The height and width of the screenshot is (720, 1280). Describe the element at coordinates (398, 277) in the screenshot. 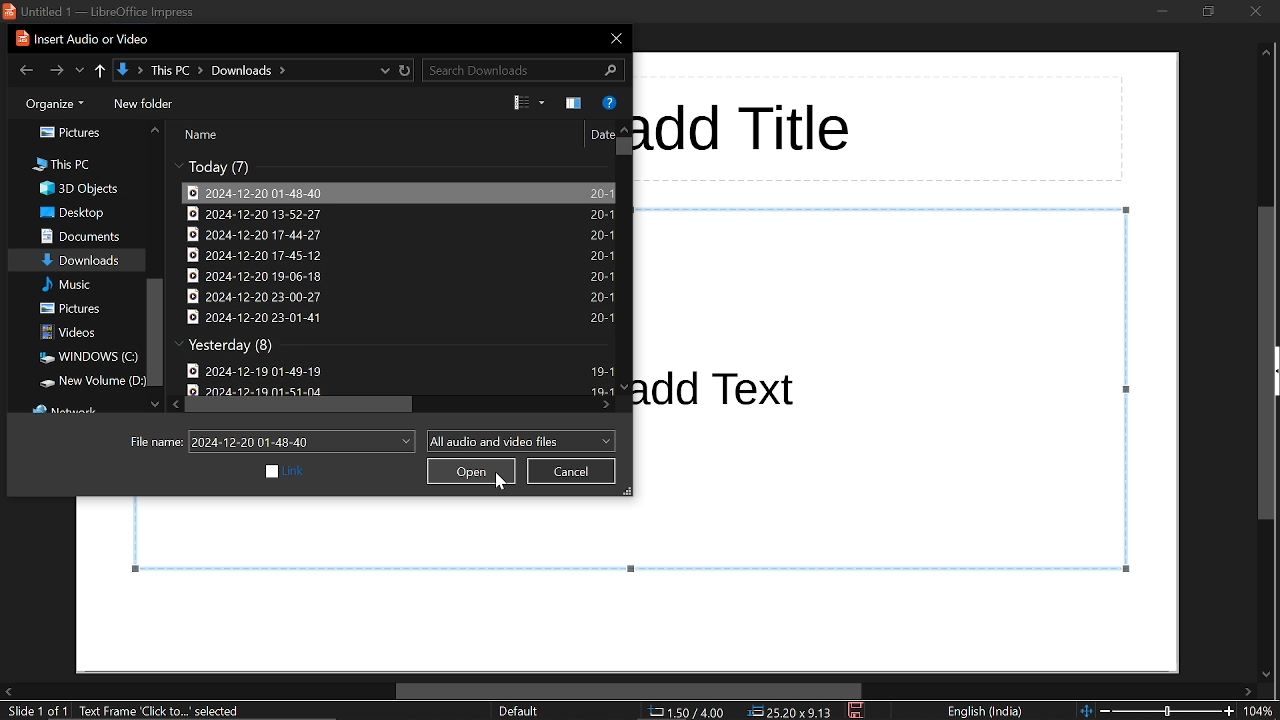

I see `file titled "2024-12-20 19-06-18"` at that location.